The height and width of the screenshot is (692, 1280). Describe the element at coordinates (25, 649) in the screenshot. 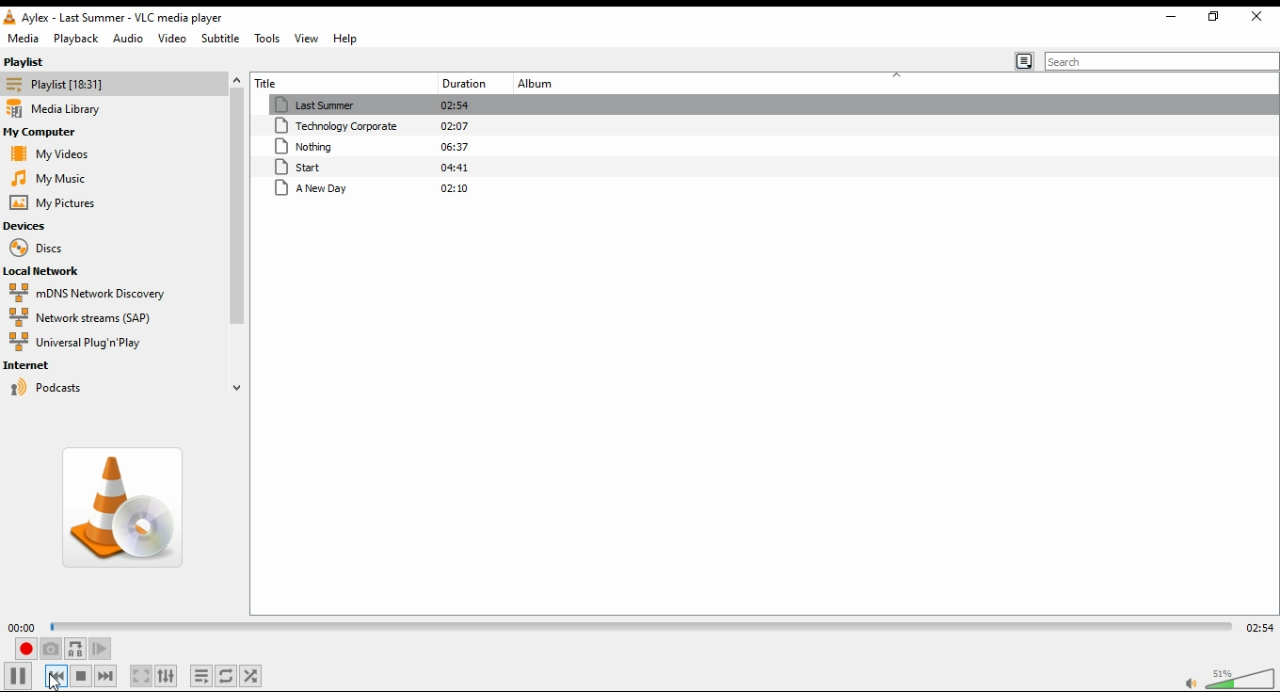

I see `record` at that location.